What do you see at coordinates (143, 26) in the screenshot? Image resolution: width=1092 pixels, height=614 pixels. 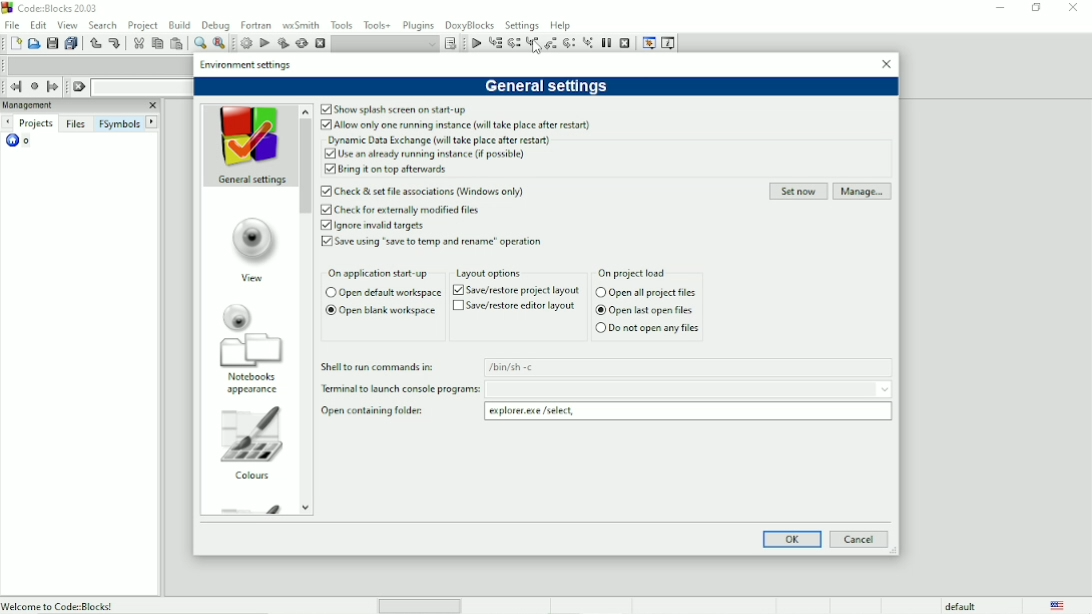 I see `Project` at bounding box center [143, 26].